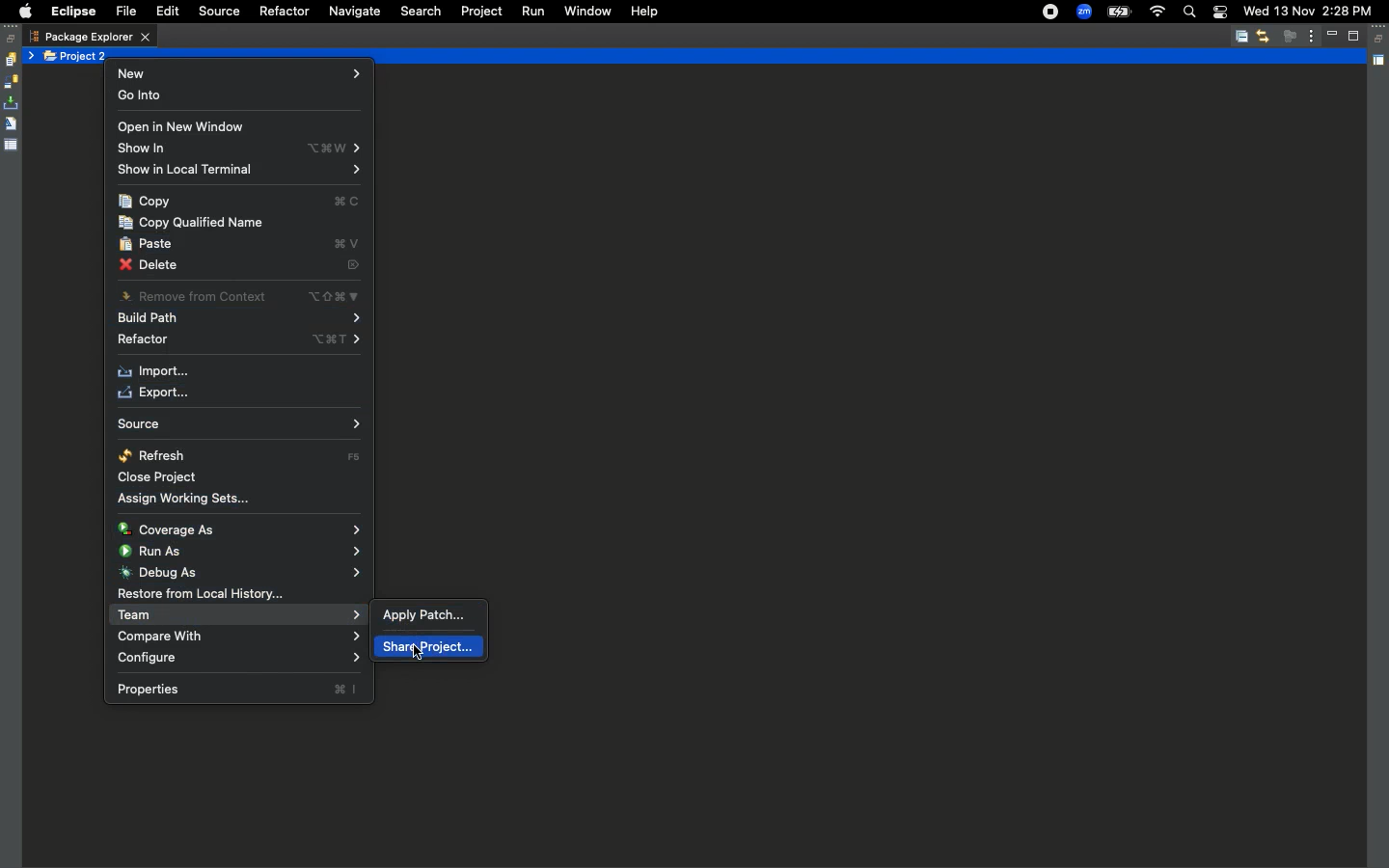 The height and width of the screenshot is (868, 1389). What do you see at coordinates (241, 73) in the screenshot?
I see `New` at bounding box center [241, 73].